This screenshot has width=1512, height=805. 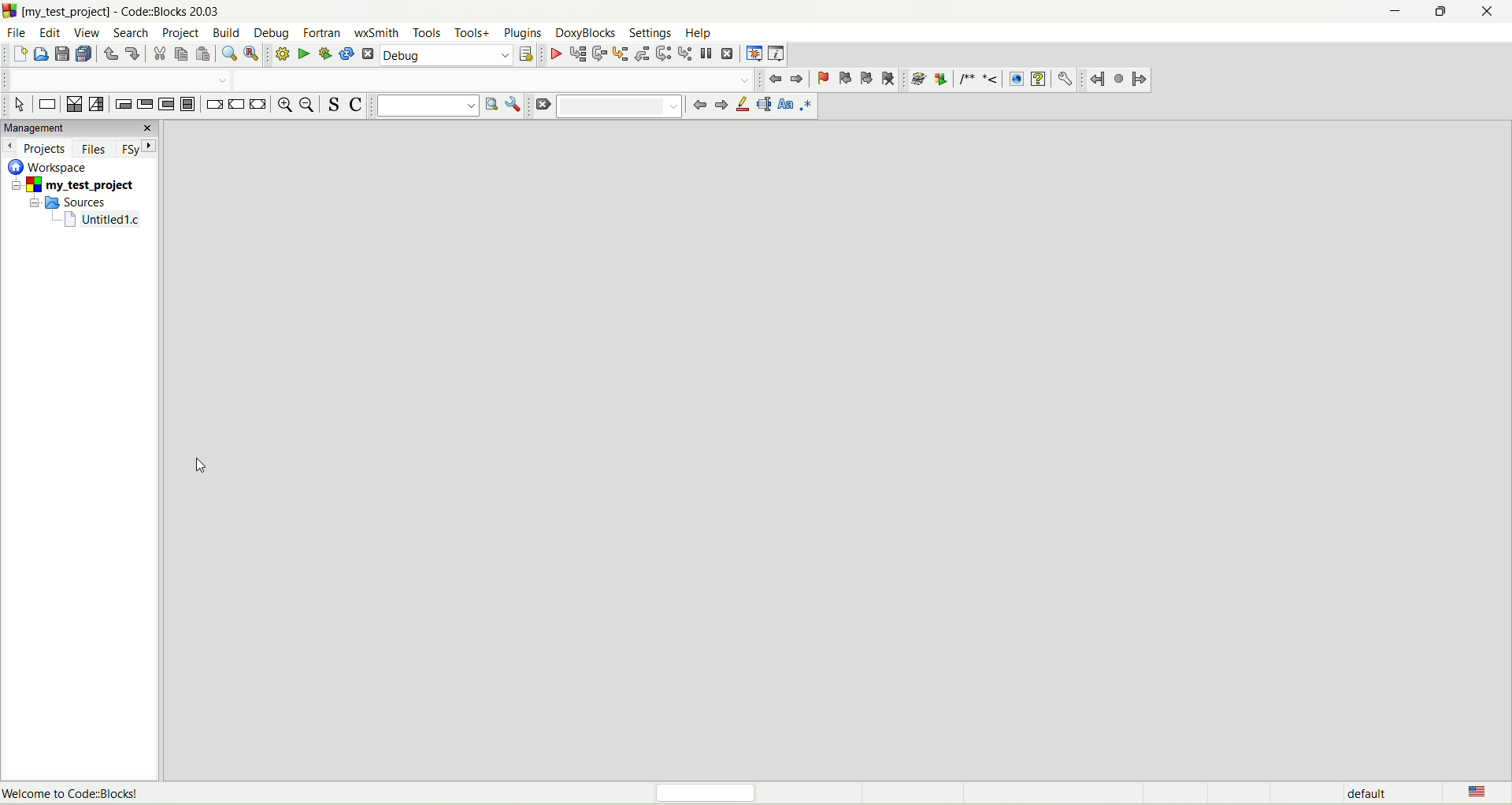 What do you see at coordinates (618, 106) in the screenshot?
I see `blank space` at bounding box center [618, 106].